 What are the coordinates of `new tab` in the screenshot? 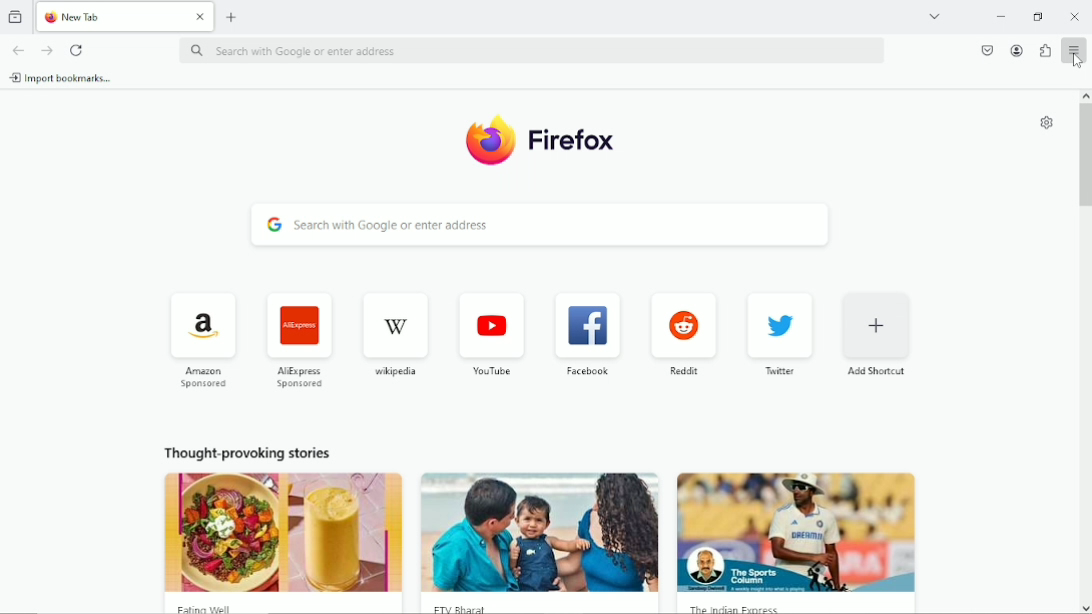 It's located at (234, 16).